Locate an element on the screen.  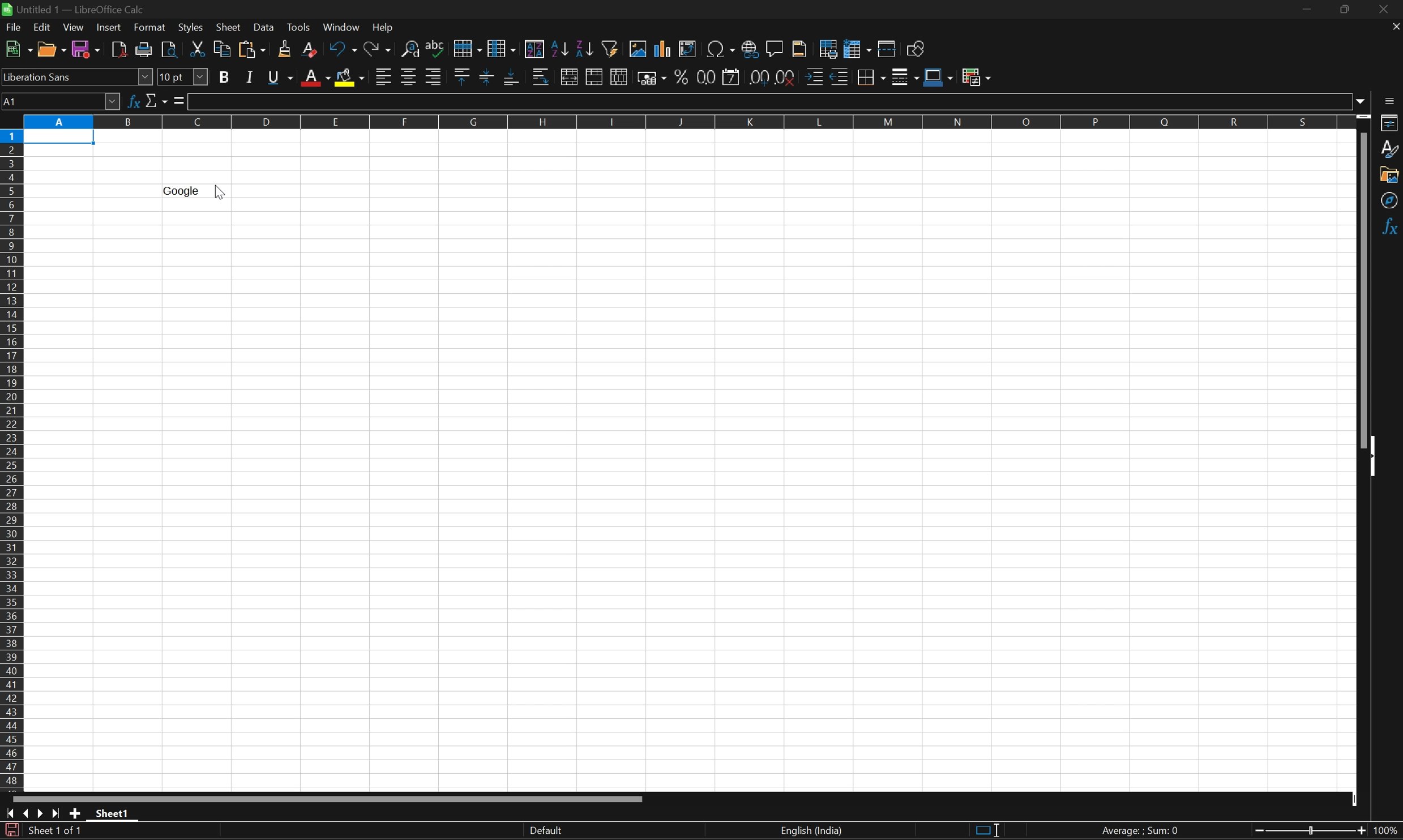
New is located at coordinates (18, 49).